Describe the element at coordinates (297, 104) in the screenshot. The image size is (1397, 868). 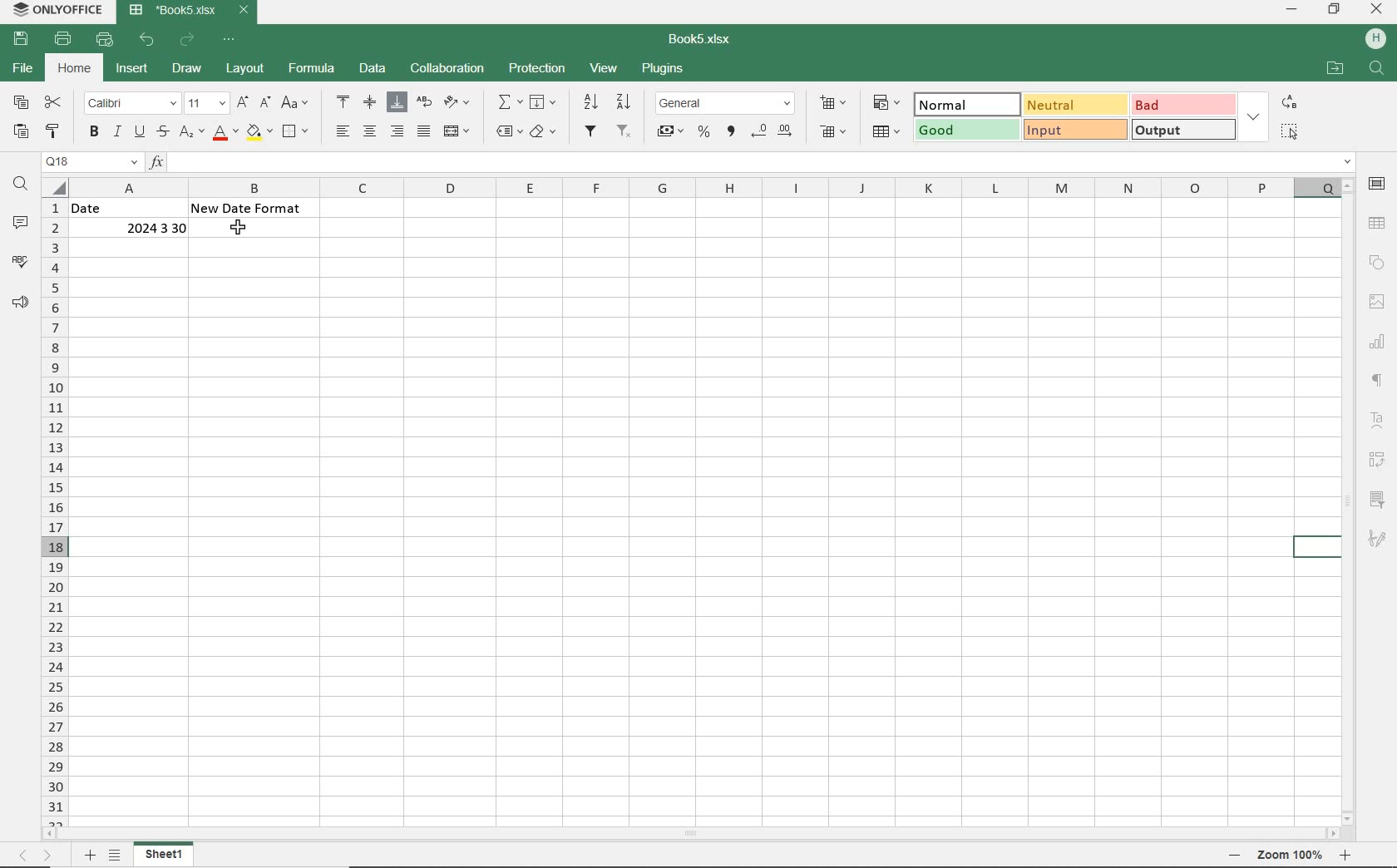
I see `CHANGE CASE` at that location.